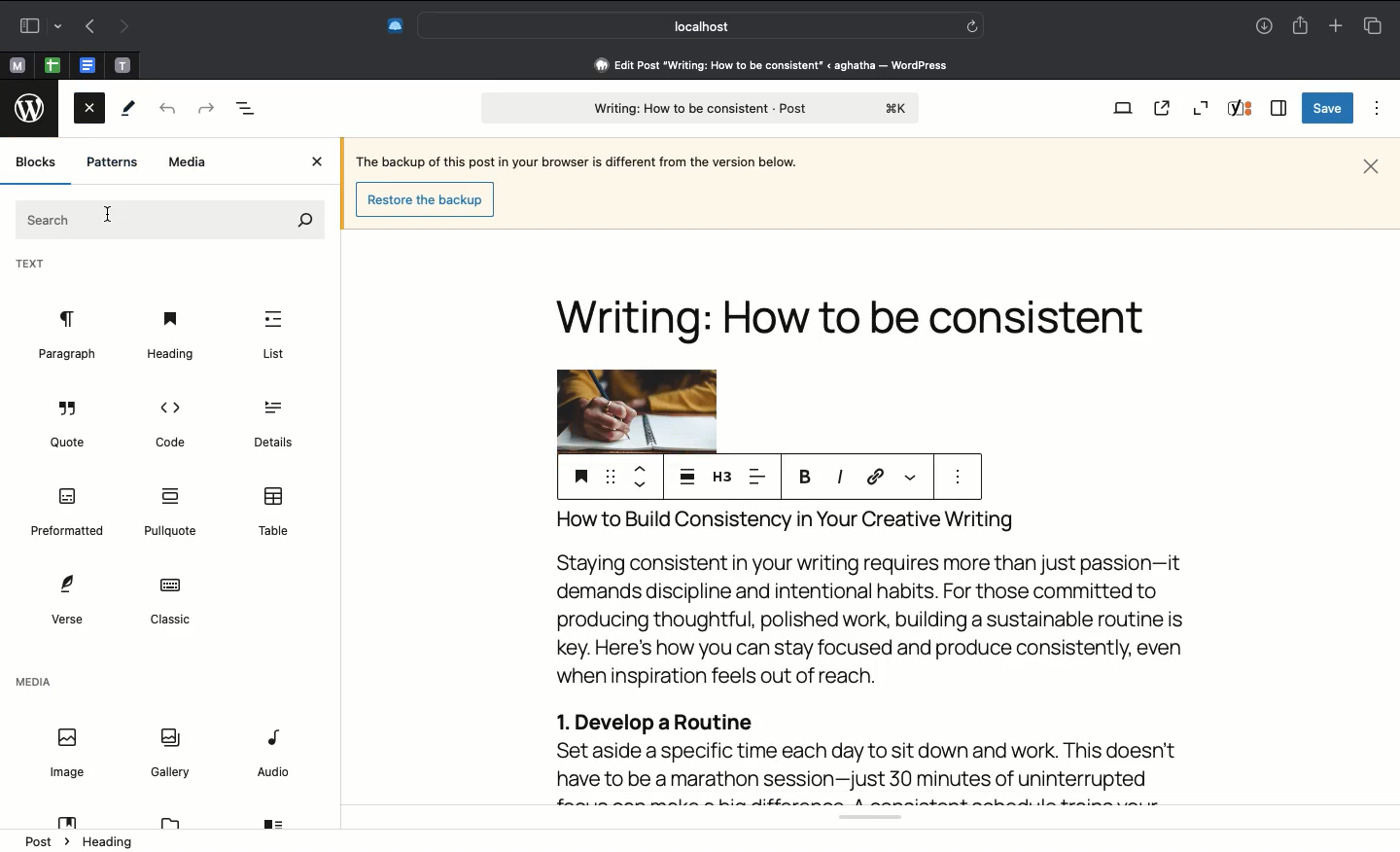 The width and height of the screenshot is (1400, 852). What do you see at coordinates (958, 478) in the screenshot?
I see `options` at bounding box center [958, 478].